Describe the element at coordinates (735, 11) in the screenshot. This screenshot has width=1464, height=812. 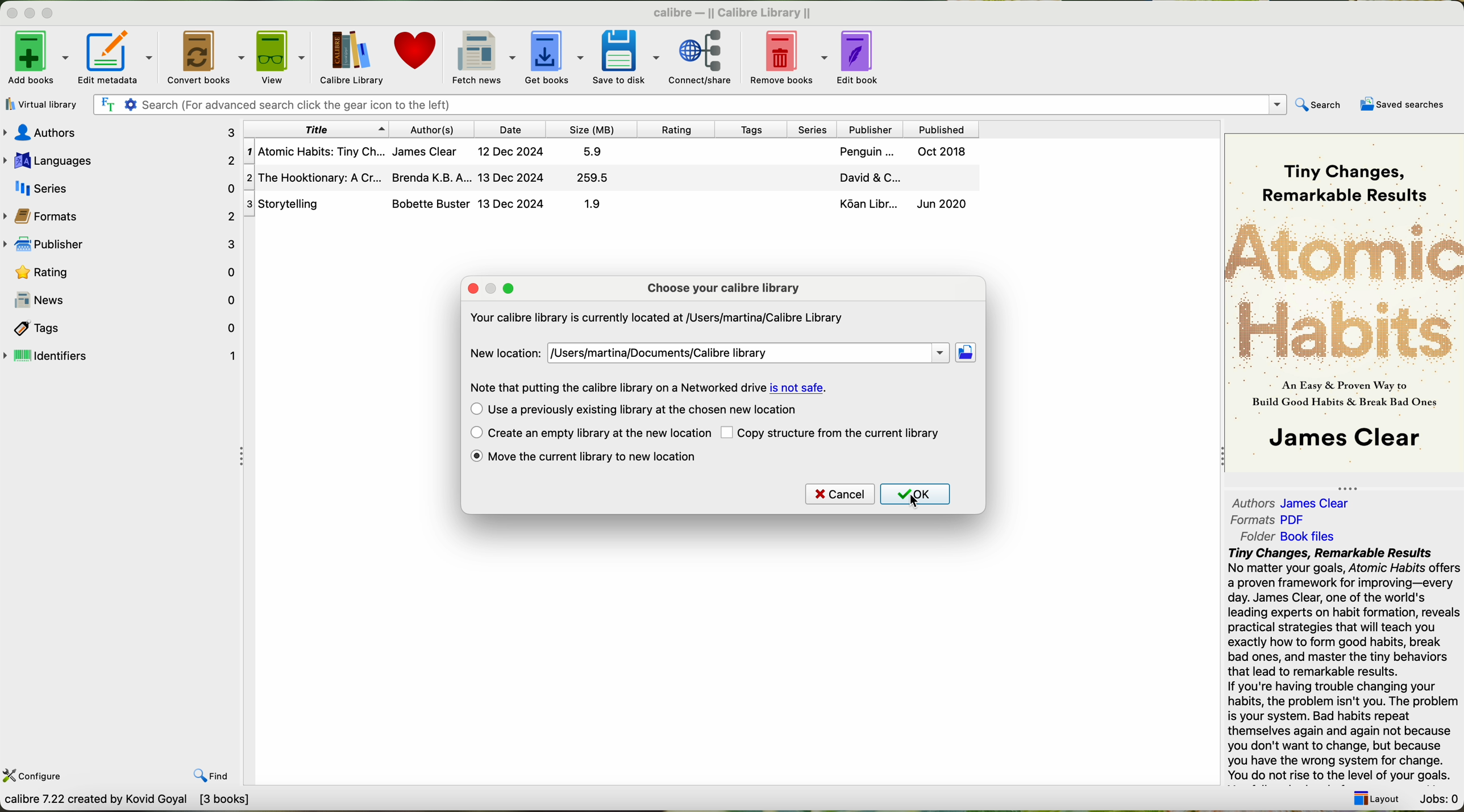
I see `calibre — || Calibre Library ||` at that location.